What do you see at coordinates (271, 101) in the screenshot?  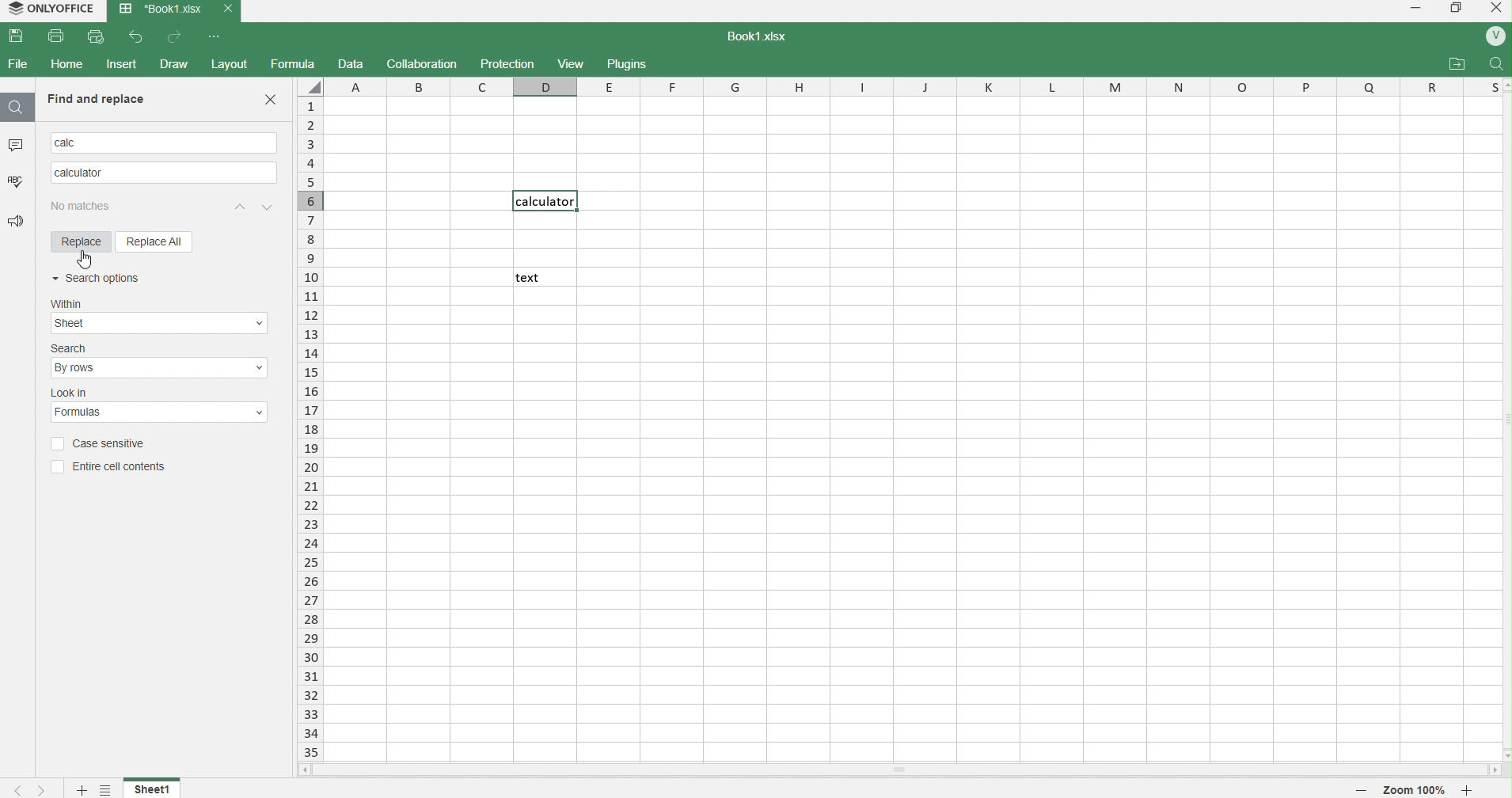 I see `Close` at bounding box center [271, 101].